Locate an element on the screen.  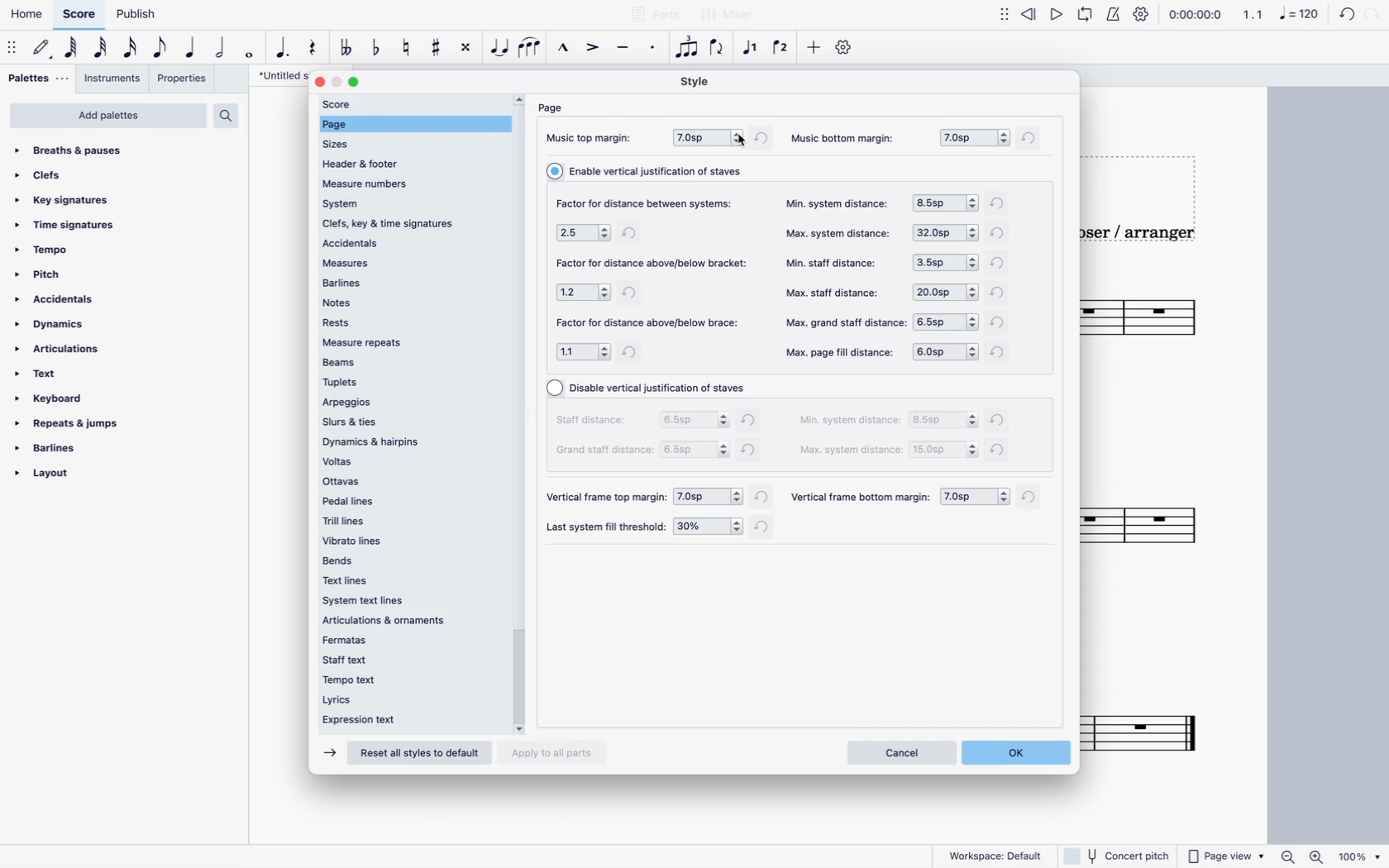
accent is located at coordinates (592, 49).